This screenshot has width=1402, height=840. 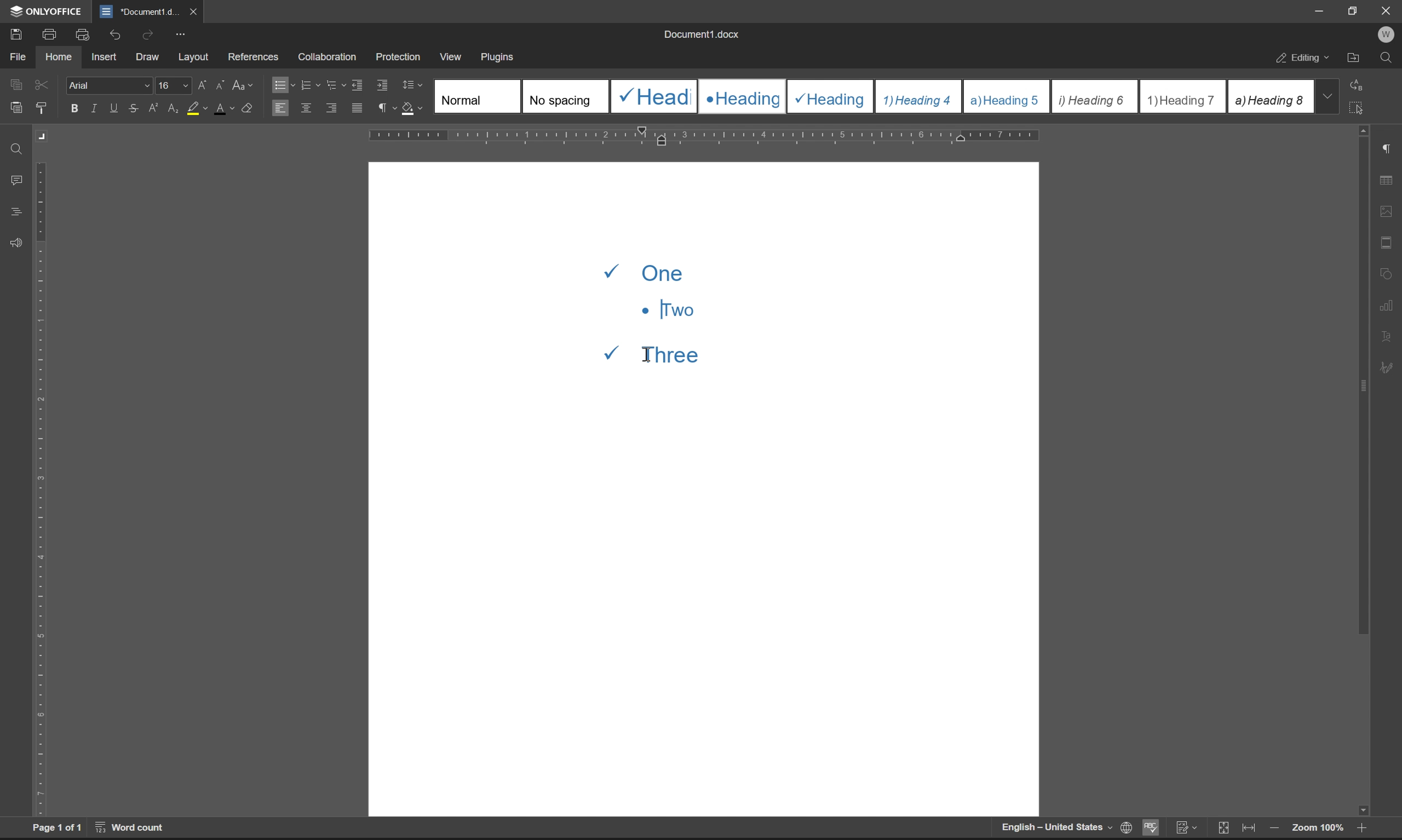 I want to click on protection, so click(x=400, y=56).